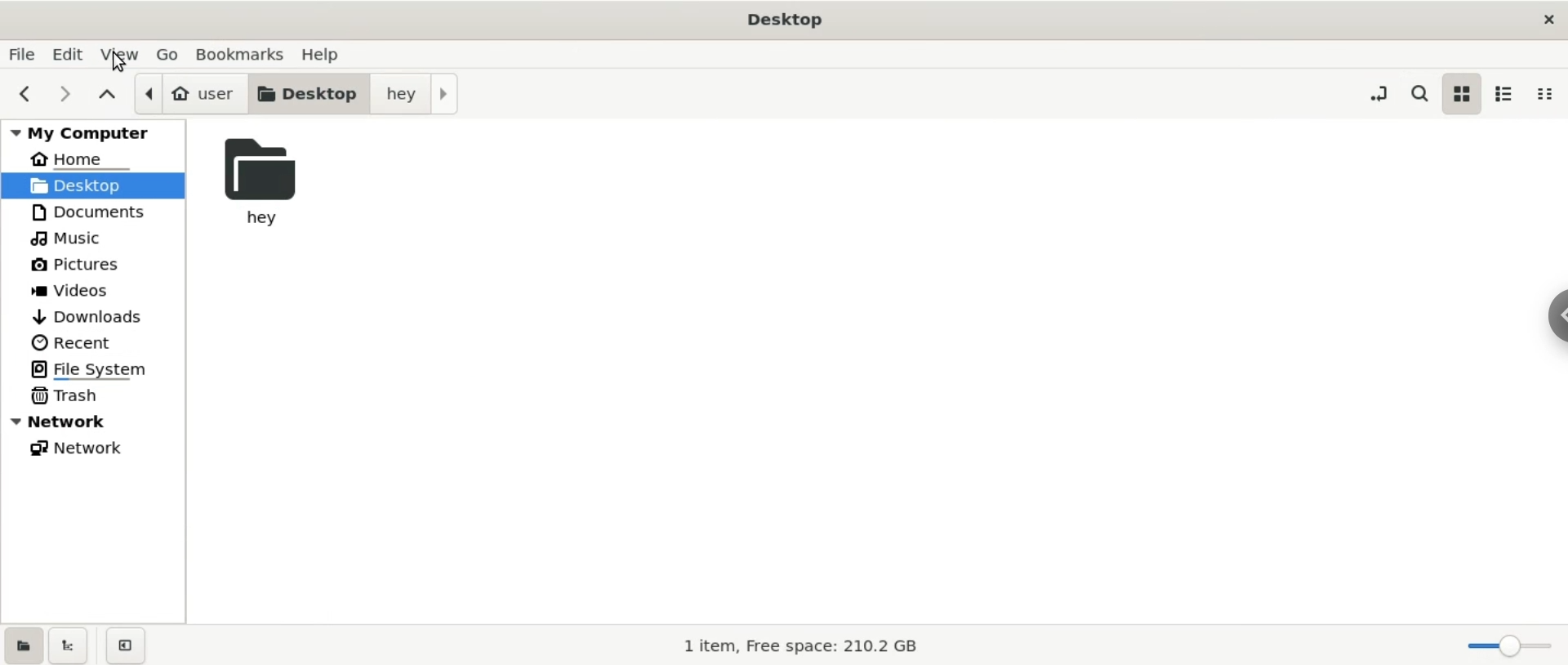 This screenshot has width=1568, height=665. What do you see at coordinates (172, 54) in the screenshot?
I see `go ` at bounding box center [172, 54].